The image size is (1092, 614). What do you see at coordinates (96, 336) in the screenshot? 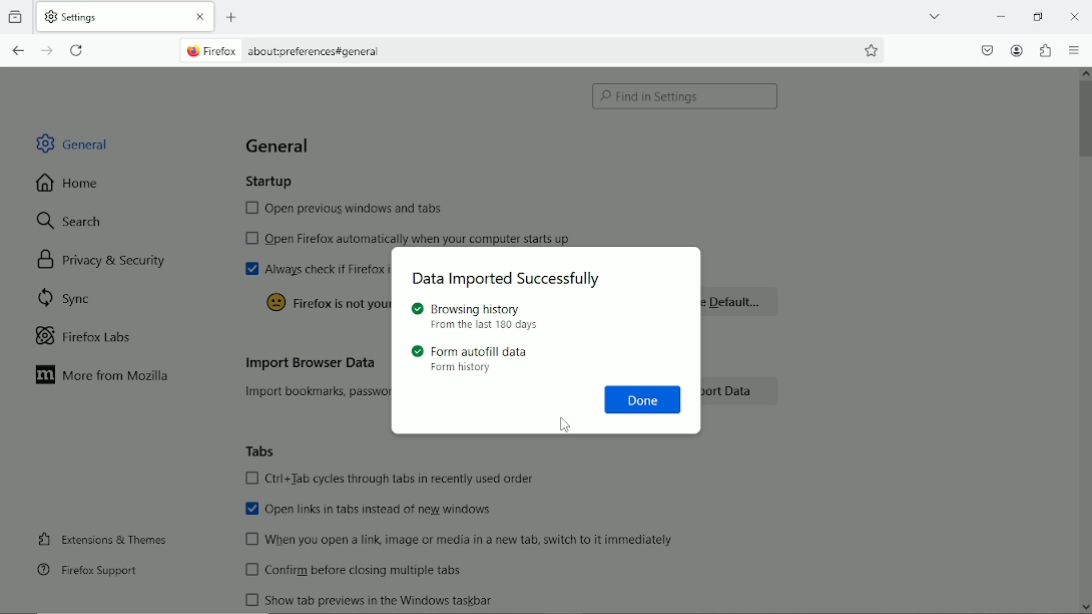
I see `Firefox labs` at bounding box center [96, 336].